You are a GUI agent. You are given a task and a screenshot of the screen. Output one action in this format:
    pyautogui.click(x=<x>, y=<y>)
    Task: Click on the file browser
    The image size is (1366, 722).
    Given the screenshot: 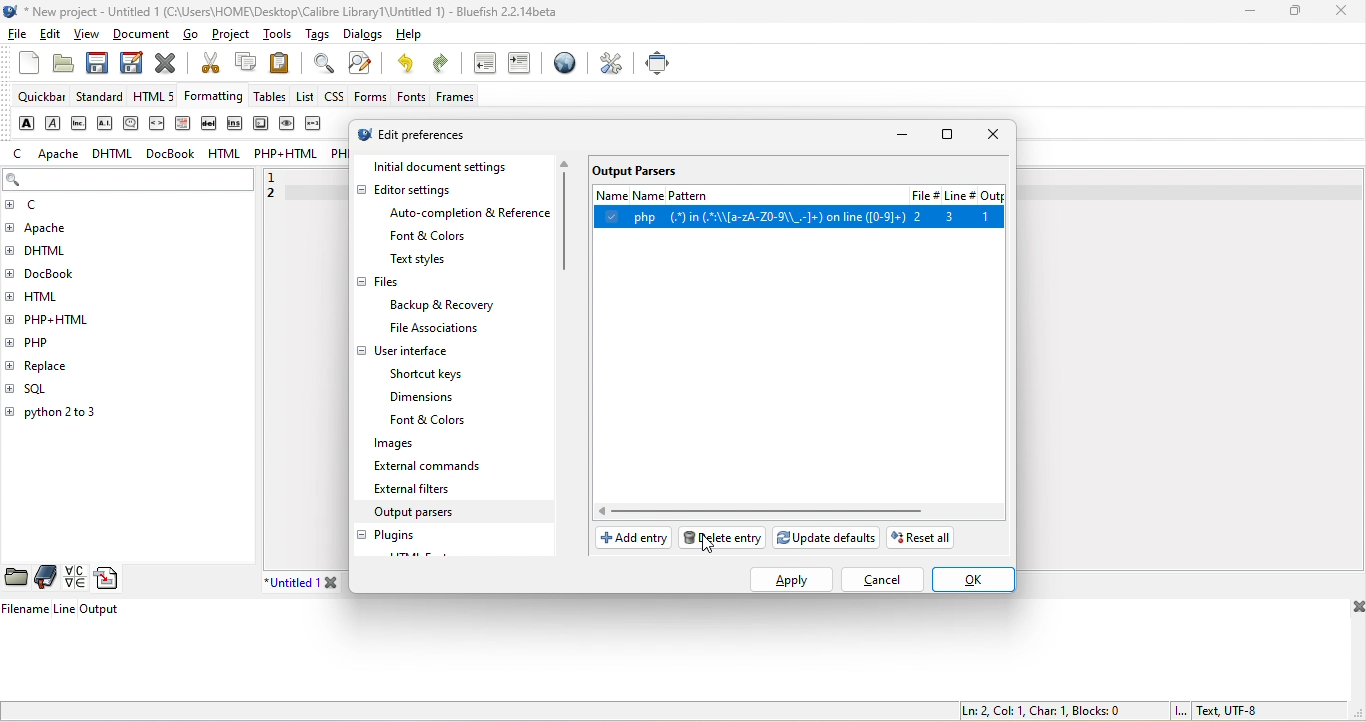 What is the action you would take?
    pyautogui.click(x=17, y=578)
    